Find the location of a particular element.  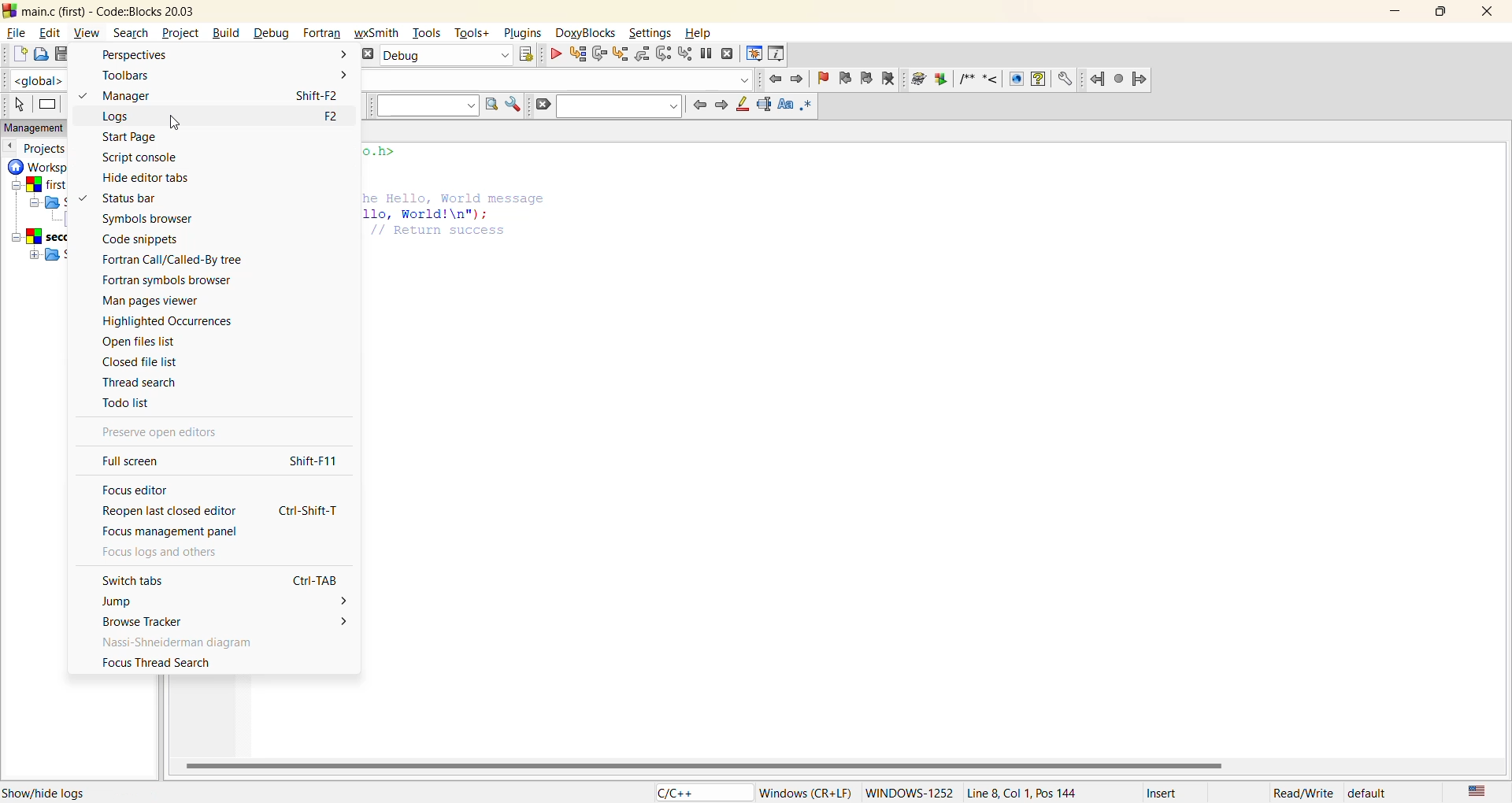

next bookmark is located at coordinates (866, 79).